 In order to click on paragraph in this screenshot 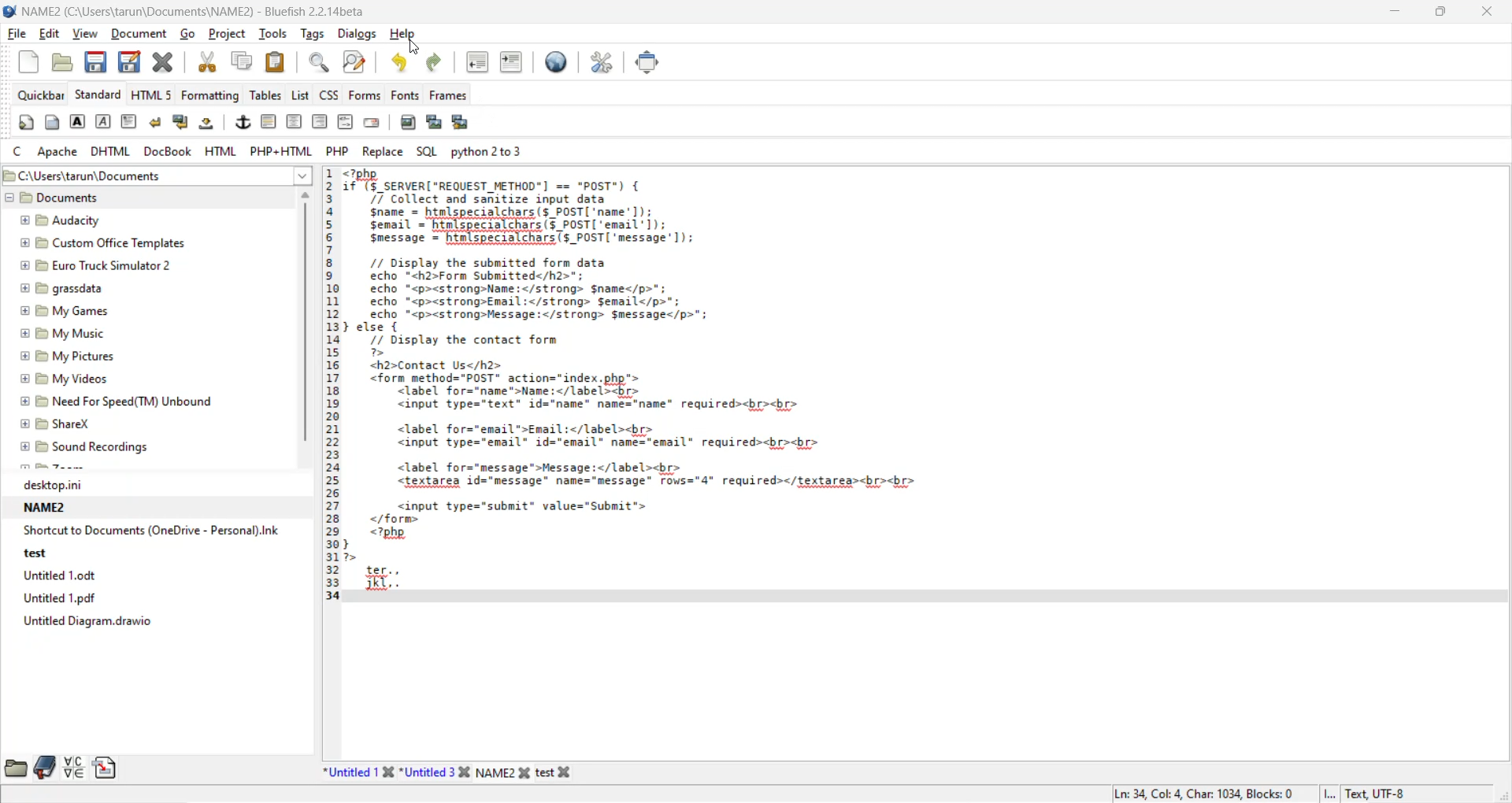, I will do `click(130, 121)`.